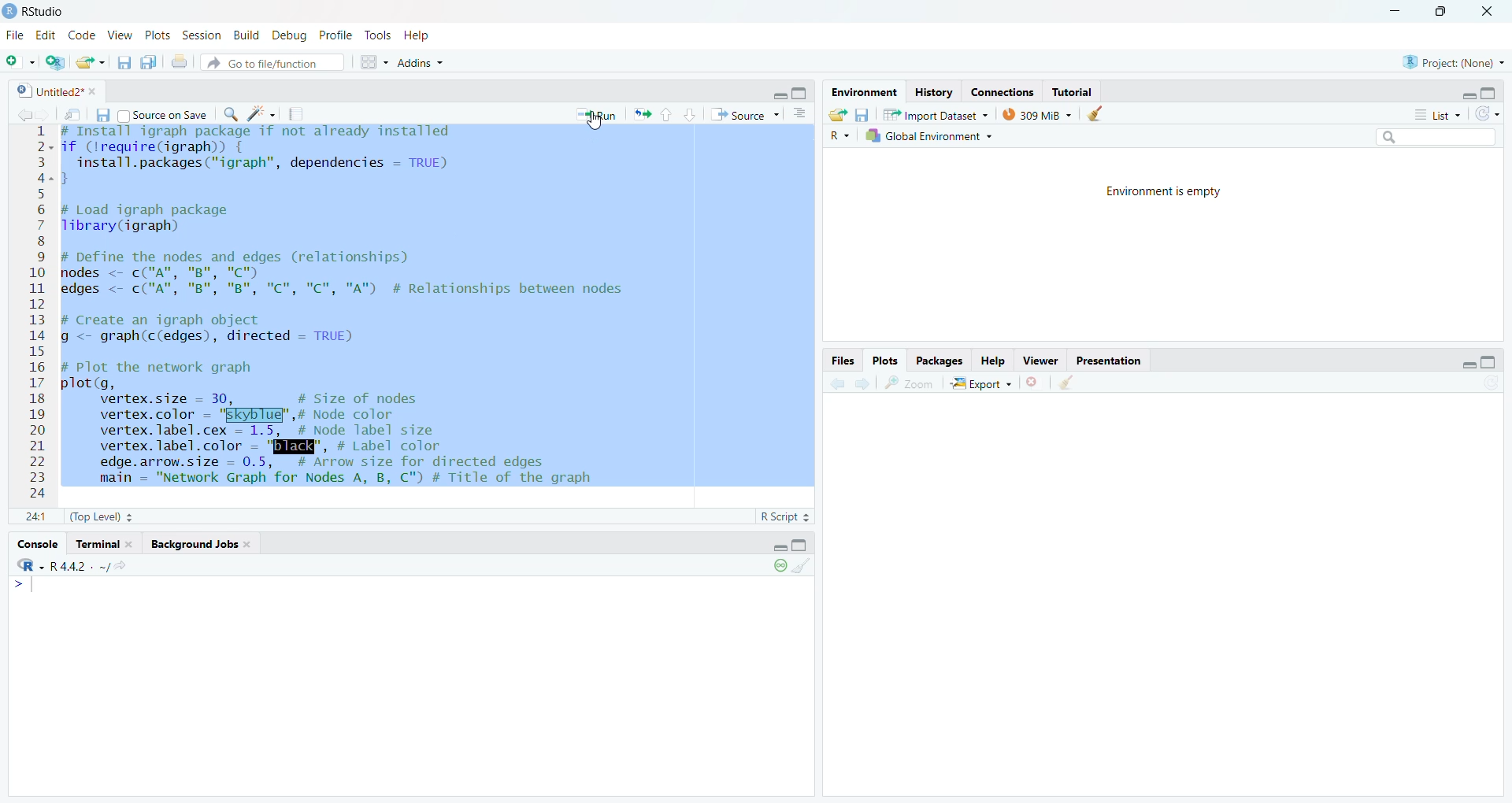 The width and height of the screenshot is (1512, 803). I want to click on Addins ~, so click(422, 65).